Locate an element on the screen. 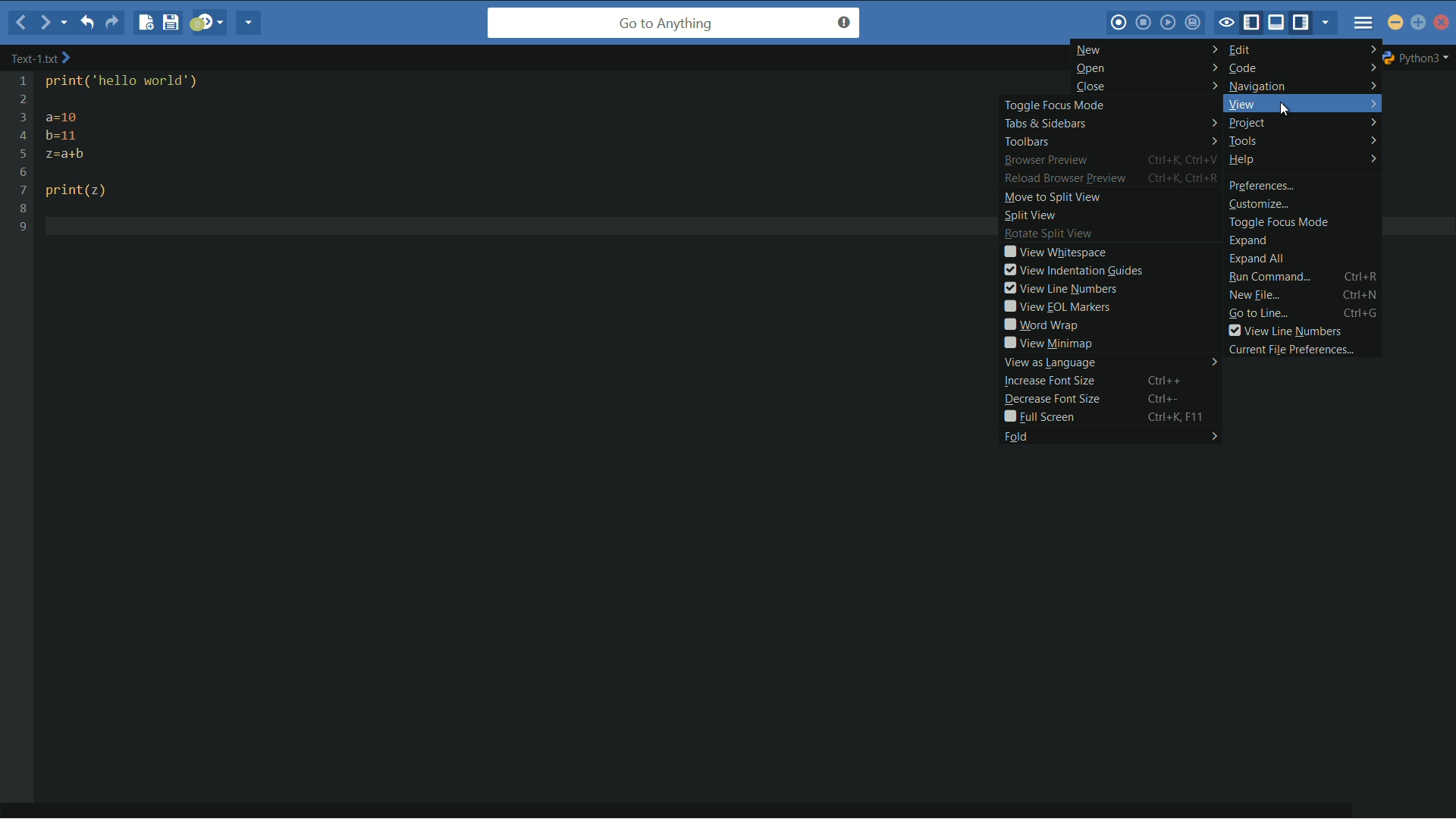  decrease font size is located at coordinates (1050, 400).